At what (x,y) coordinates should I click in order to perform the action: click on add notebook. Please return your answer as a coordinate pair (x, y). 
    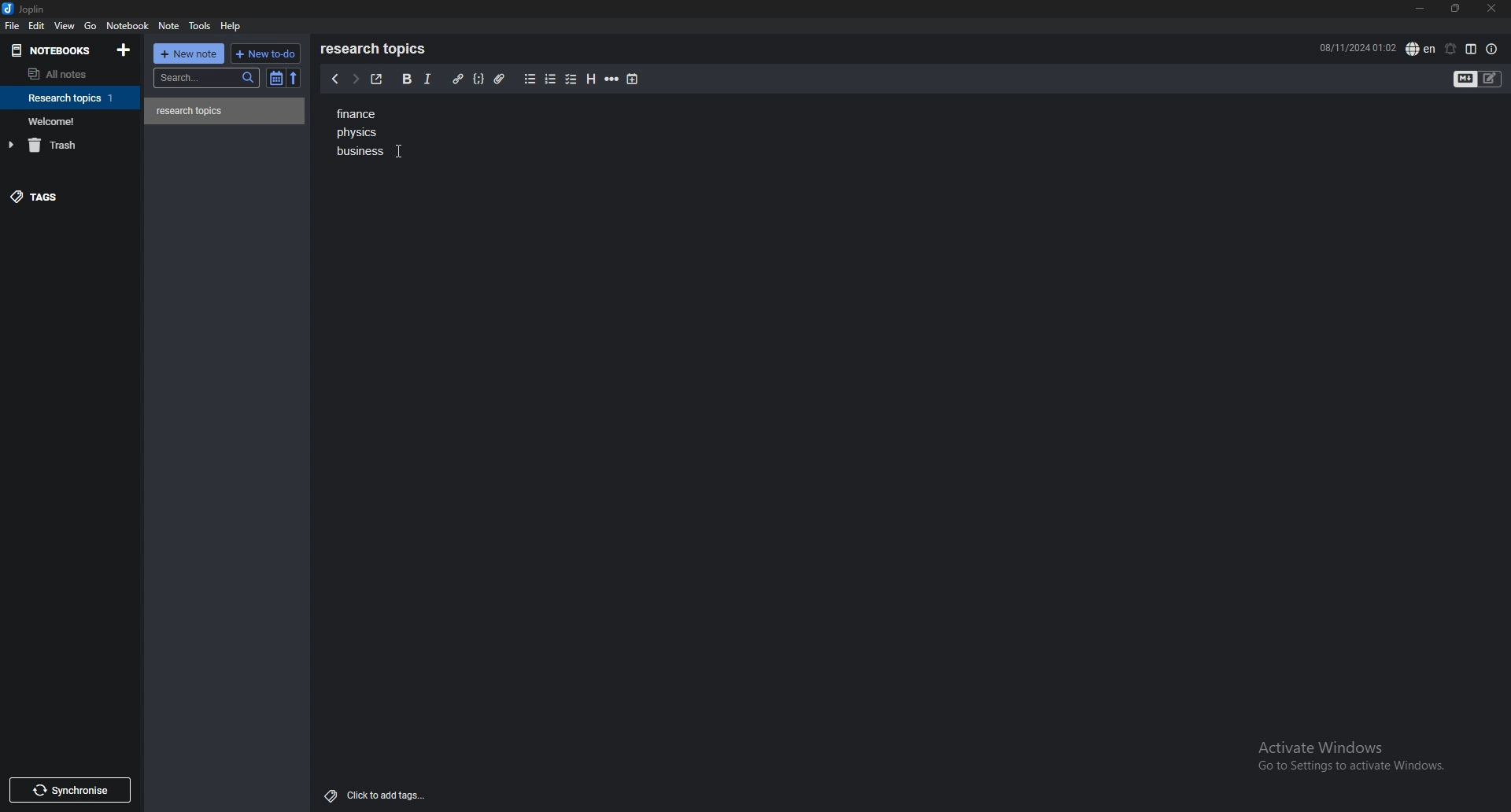
    Looking at the image, I should click on (123, 50).